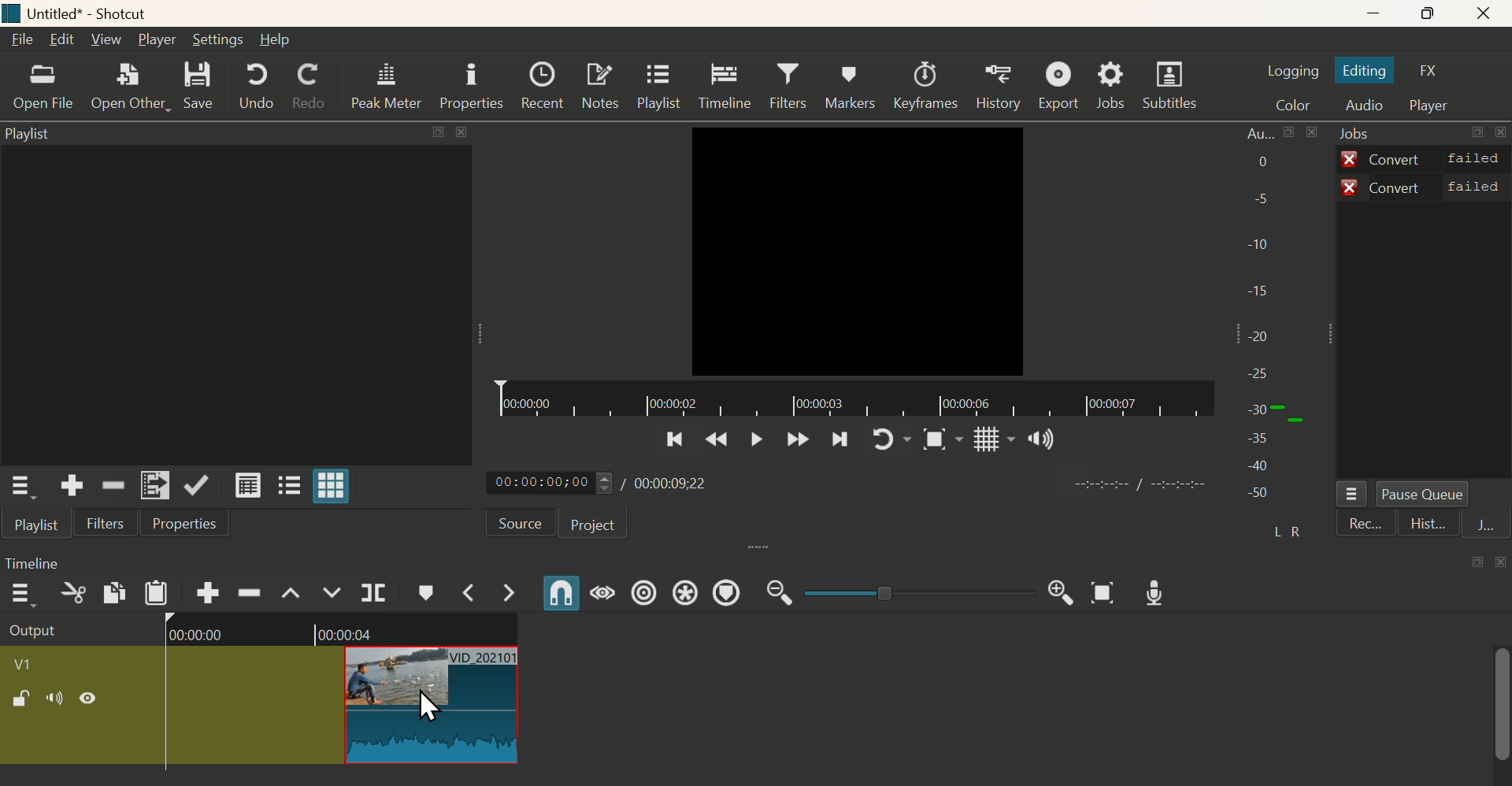  What do you see at coordinates (35, 528) in the screenshot?
I see `Playlist` at bounding box center [35, 528].